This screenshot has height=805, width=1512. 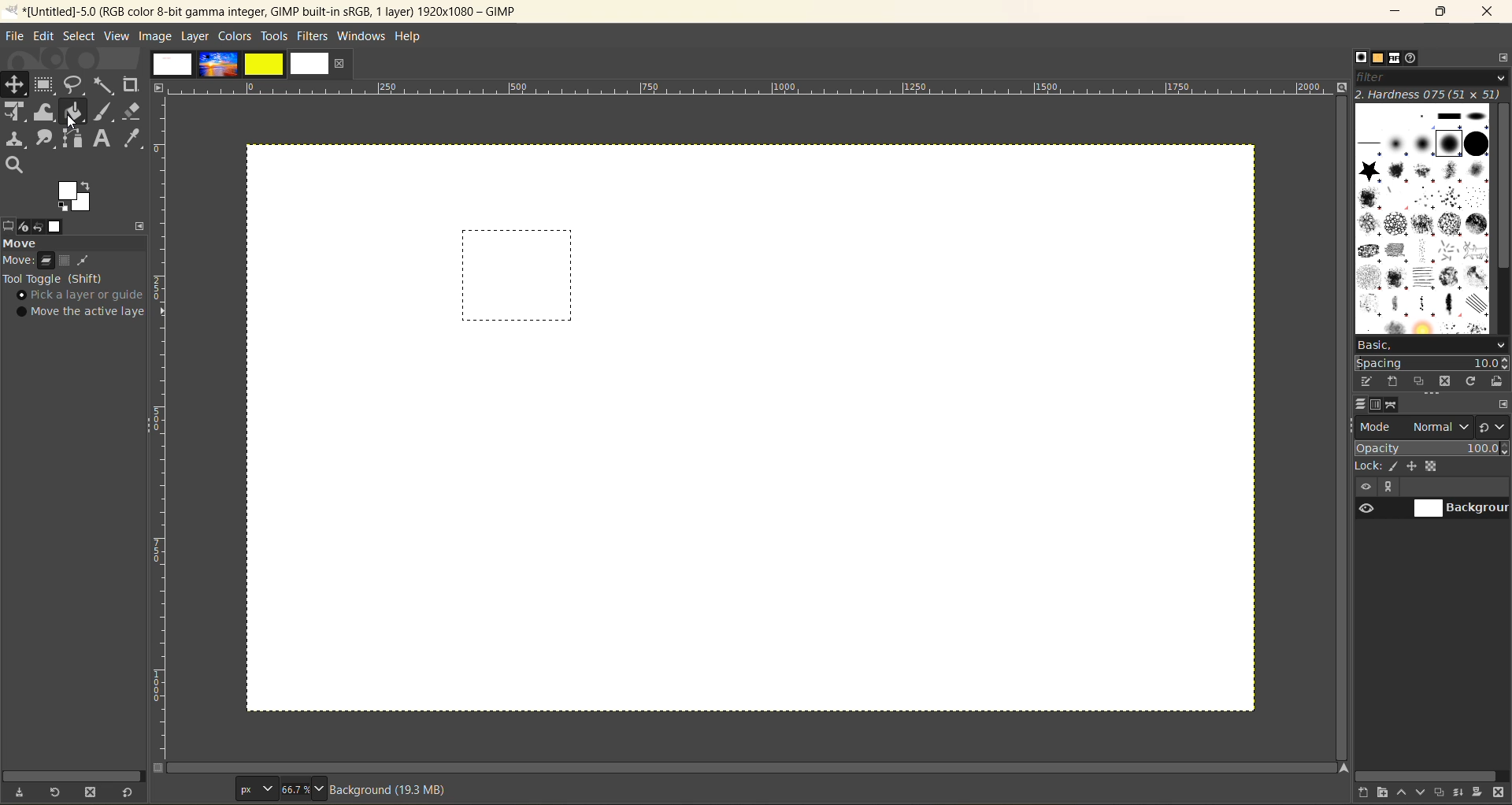 I want to click on image, so click(x=156, y=37).